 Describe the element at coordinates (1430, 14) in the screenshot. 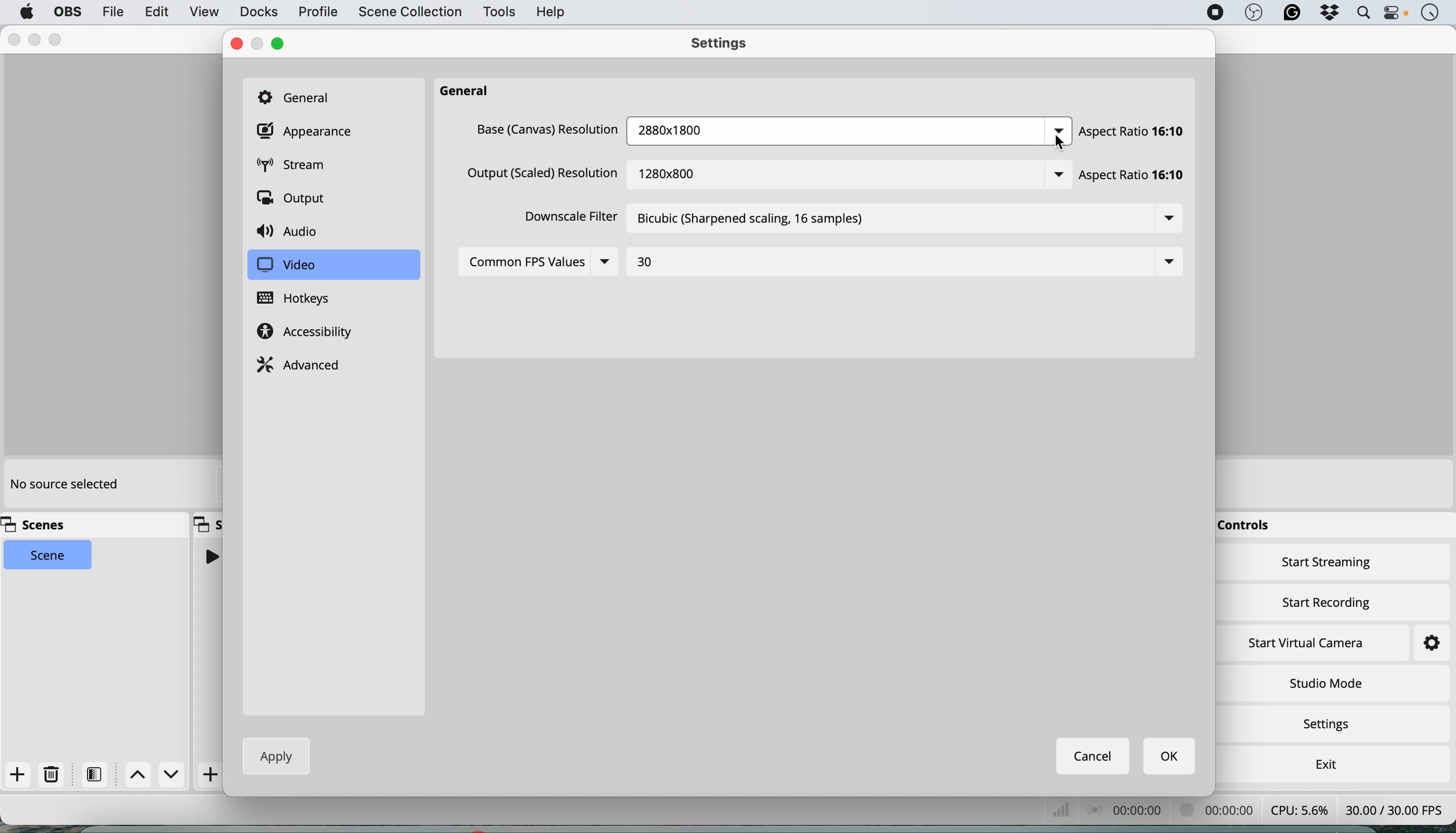

I see `time` at that location.